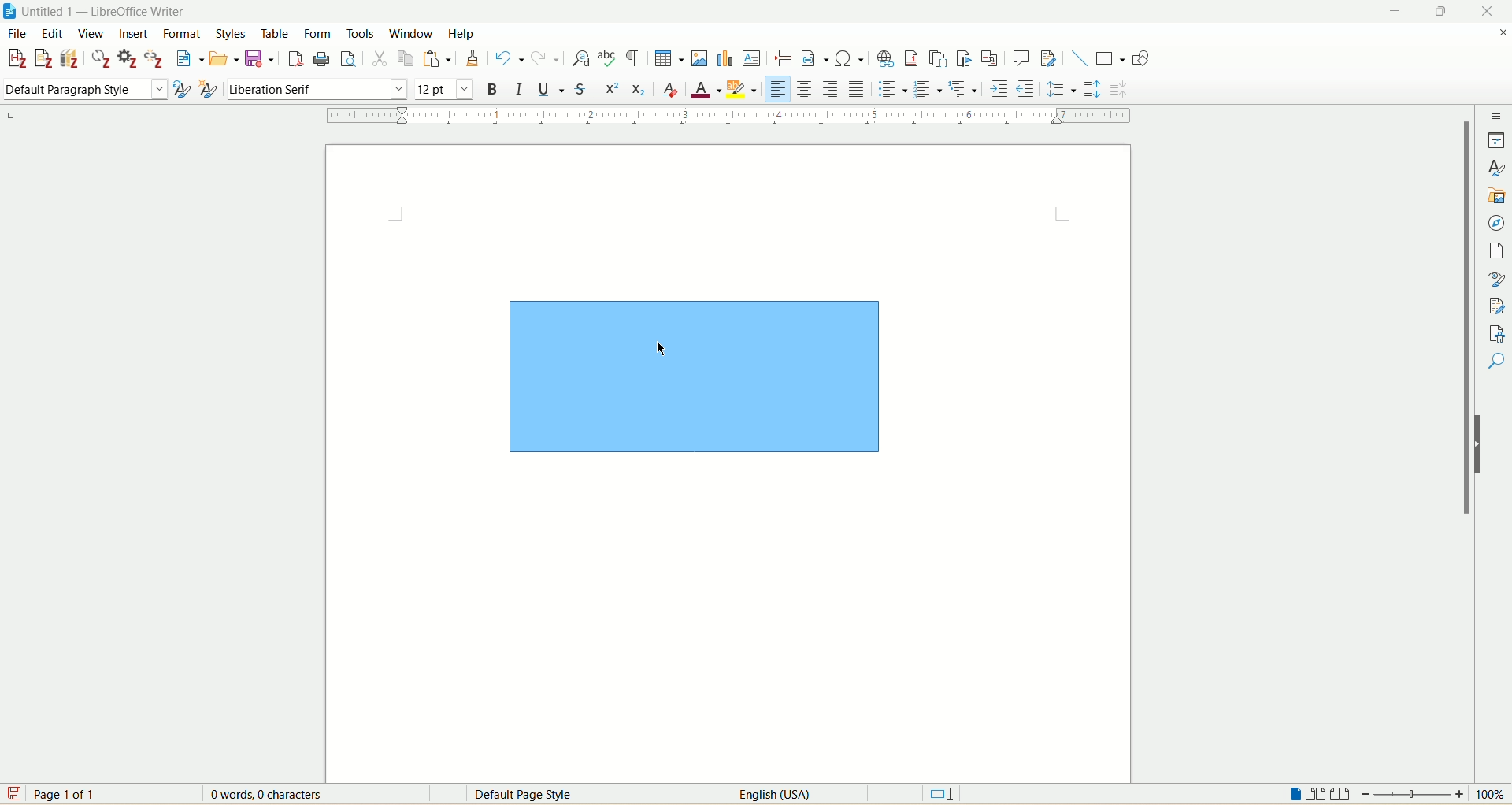 This screenshot has height=805, width=1512. I want to click on style inspector, so click(1495, 280).